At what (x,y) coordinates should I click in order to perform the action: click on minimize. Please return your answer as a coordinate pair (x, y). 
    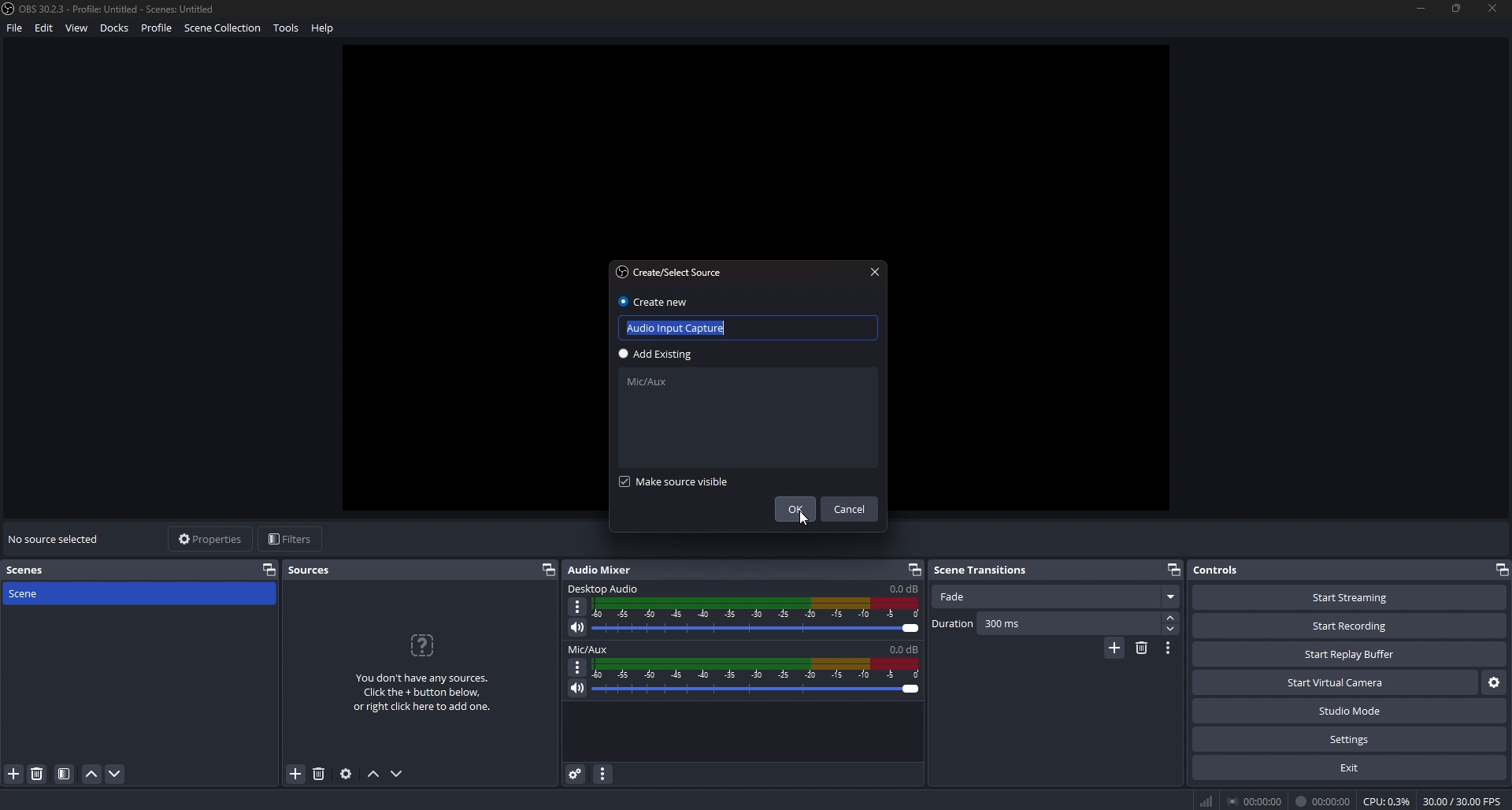
    Looking at the image, I should click on (1421, 9).